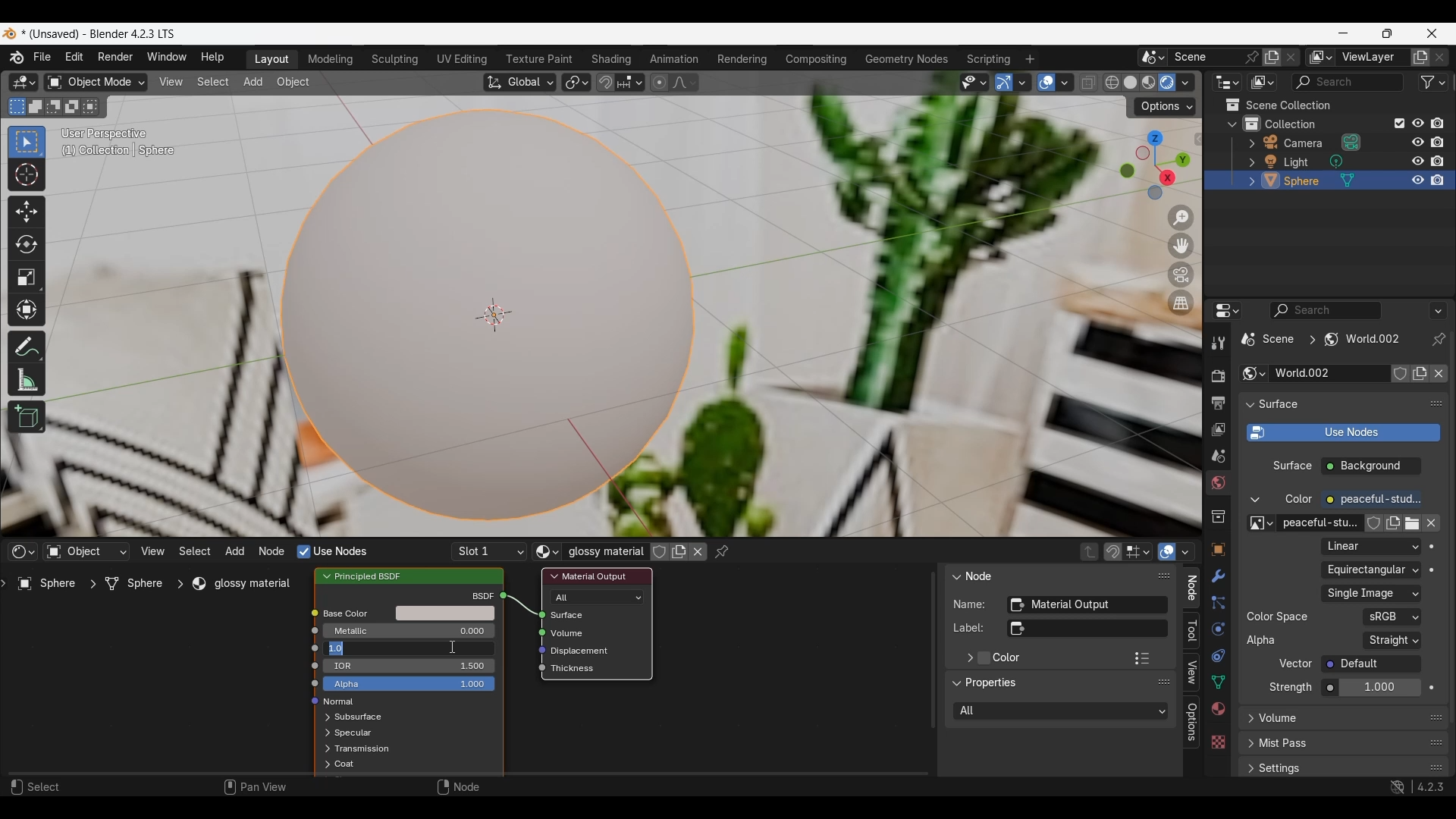  I want to click on expand respective scenes, so click(1248, 769).